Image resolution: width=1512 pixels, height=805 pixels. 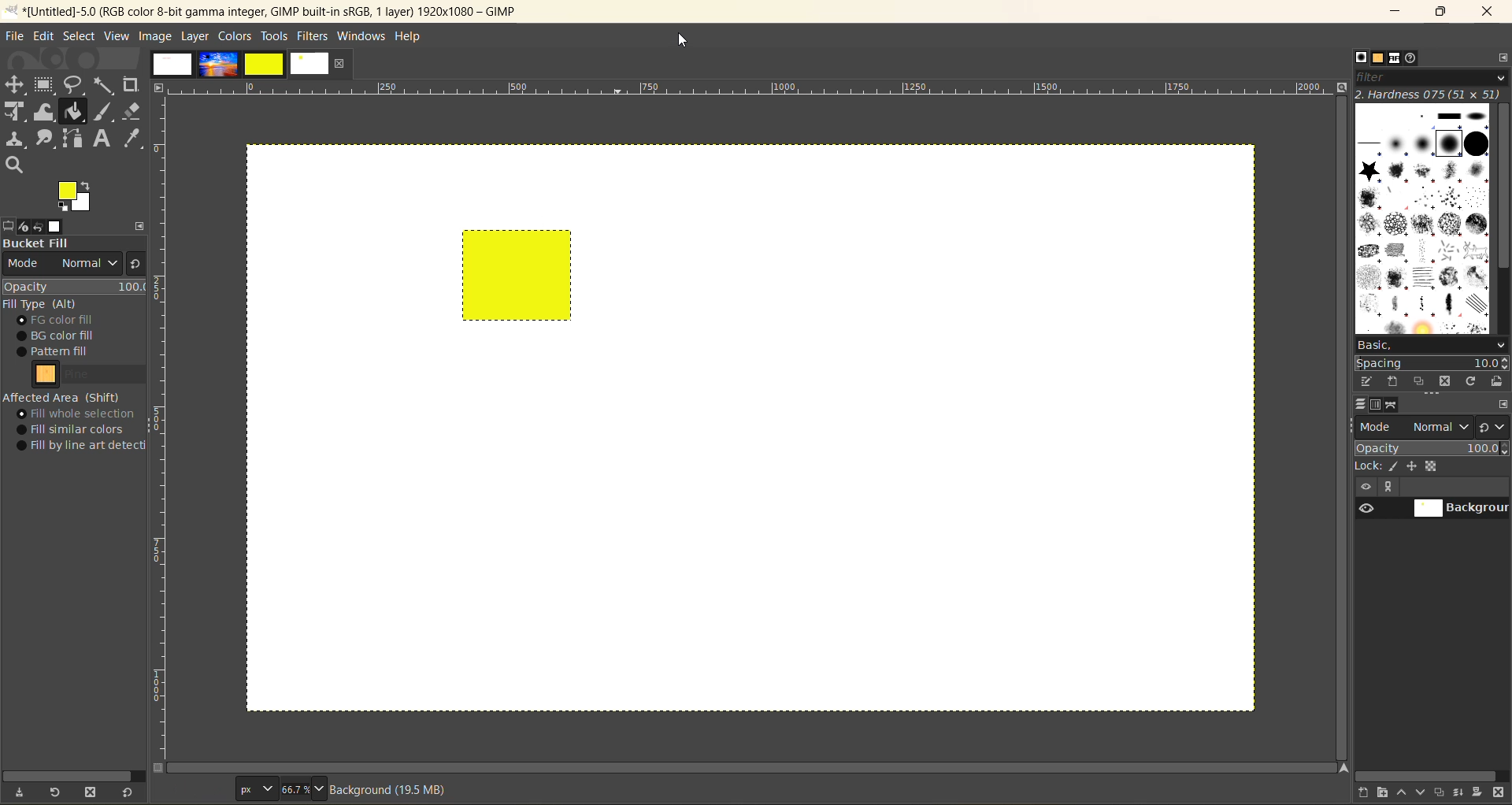 What do you see at coordinates (76, 773) in the screenshot?
I see `horizontal scroll bar` at bounding box center [76, 773].